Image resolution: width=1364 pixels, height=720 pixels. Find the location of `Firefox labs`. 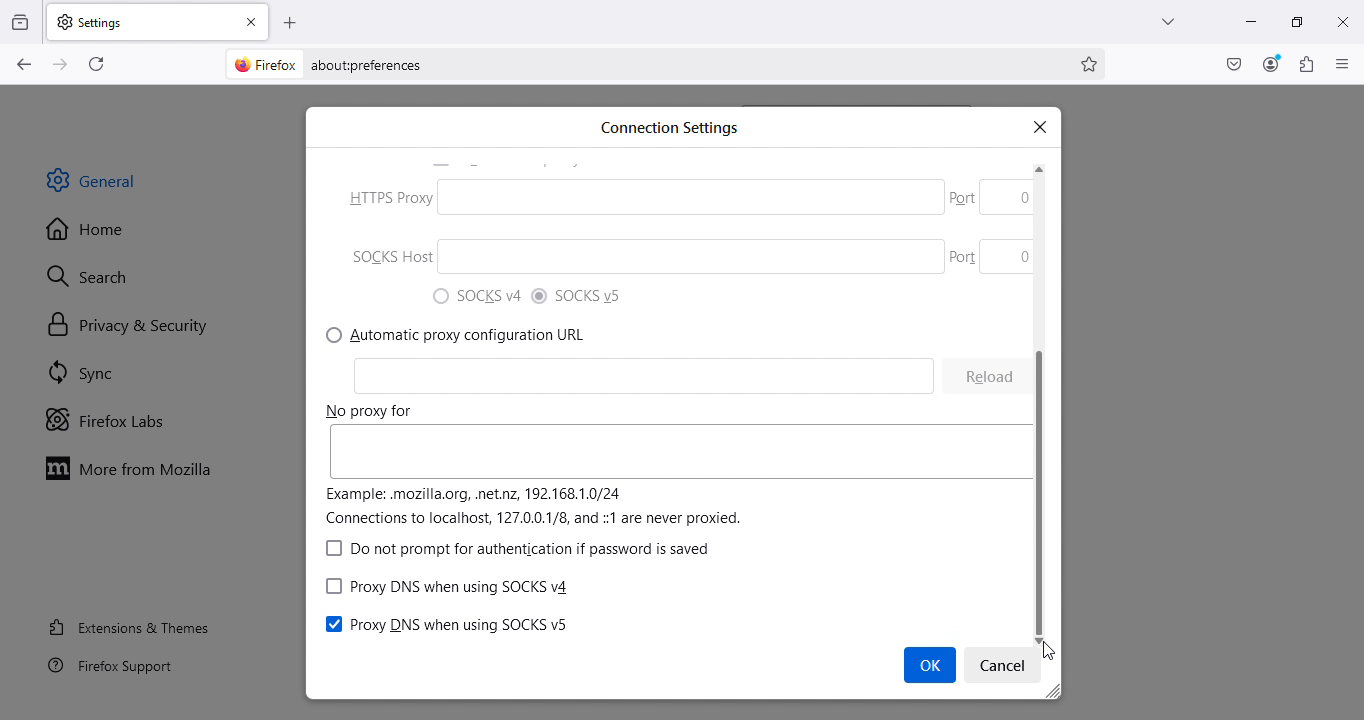

Firefox labs is located at coordinates (108, 421).